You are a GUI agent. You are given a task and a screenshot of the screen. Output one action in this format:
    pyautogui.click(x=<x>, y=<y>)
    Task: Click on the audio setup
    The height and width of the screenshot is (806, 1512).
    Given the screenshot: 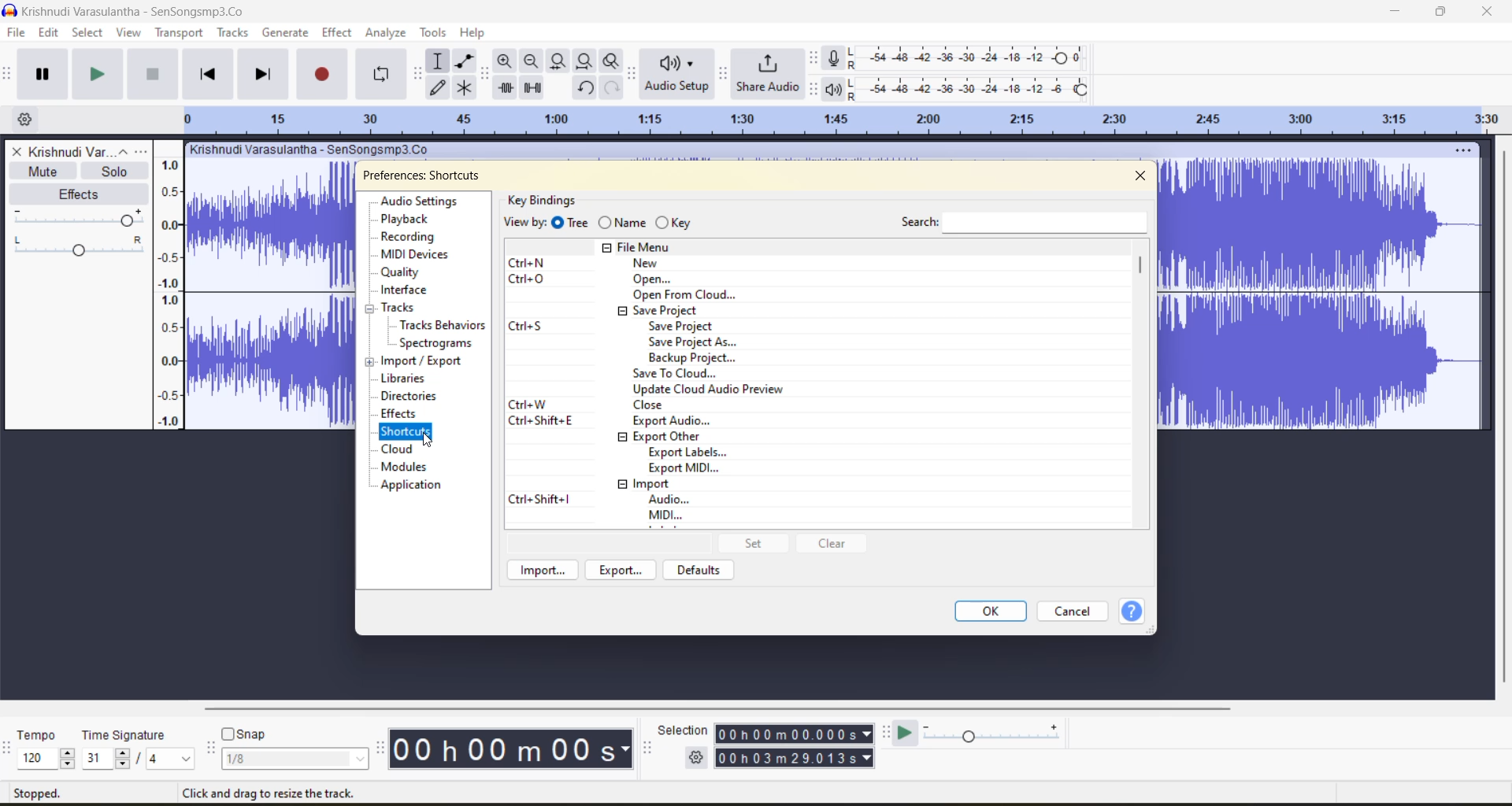 What is the action you would take?
    pyautogui.click(x=678, y=76)
    